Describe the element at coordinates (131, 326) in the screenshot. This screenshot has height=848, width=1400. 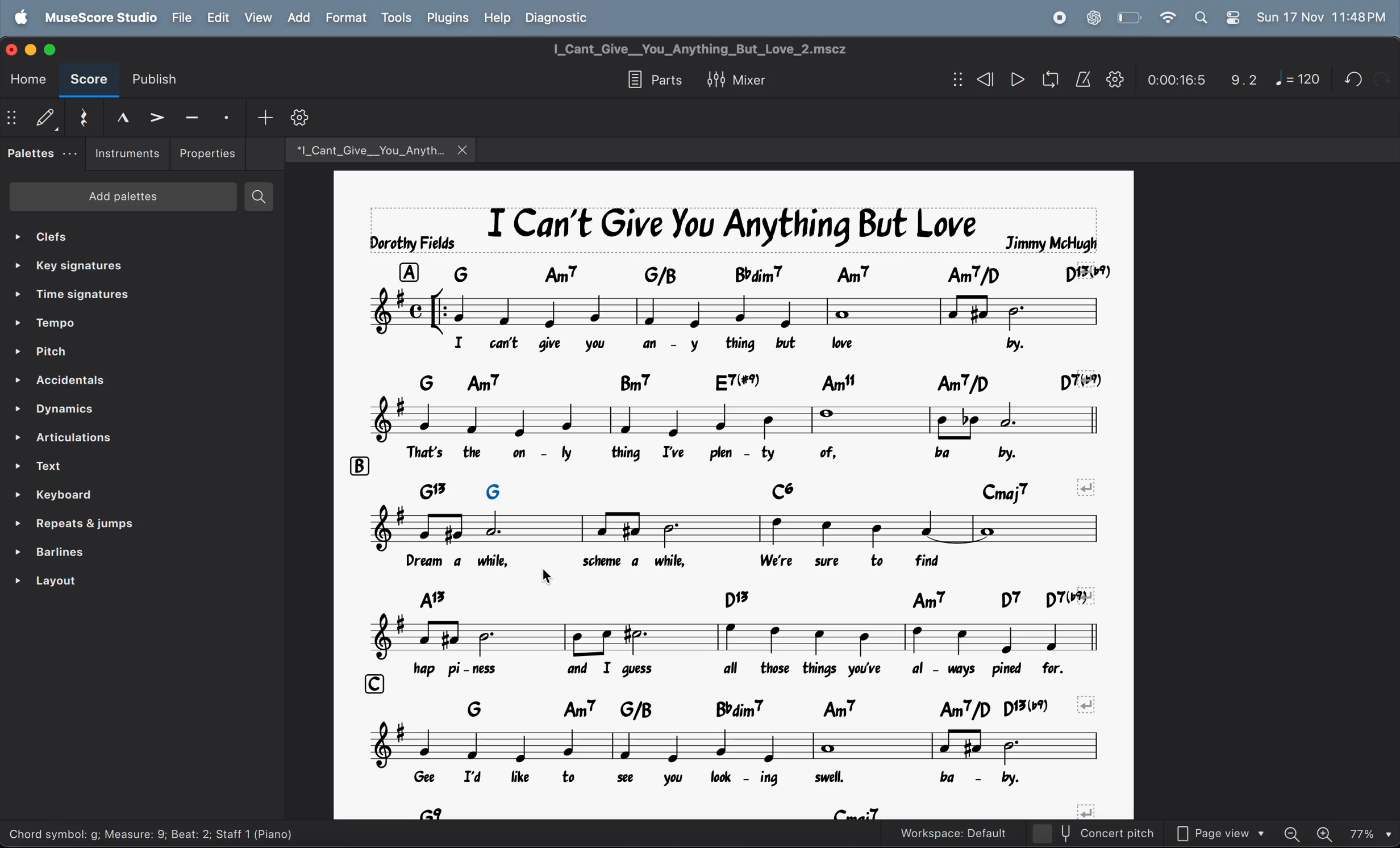
I see `tempo` at that location.